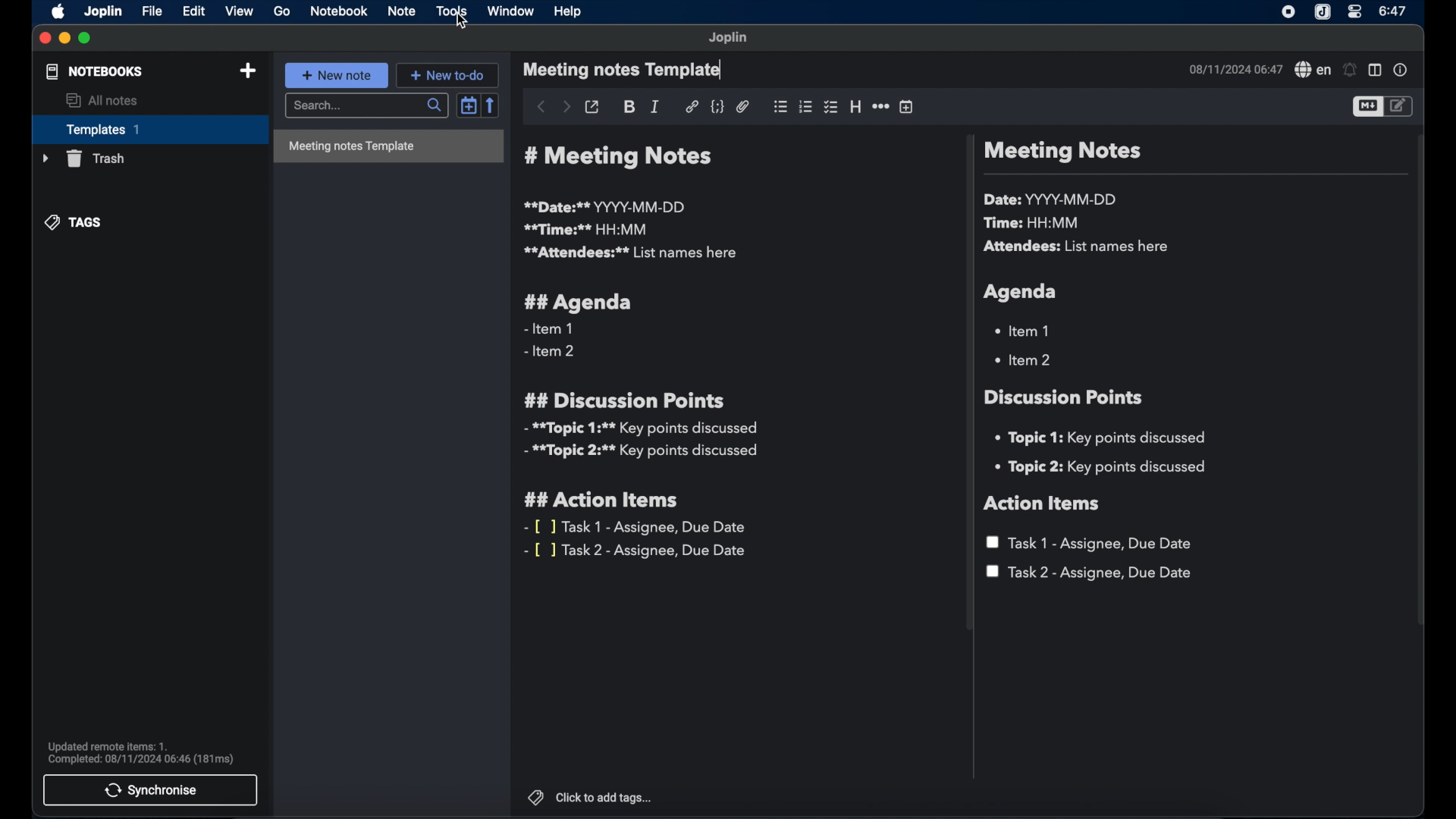  What do you see at coordinates (1102, 467) in the screenshot?
I see `topic 2: key points discussed` at bounding box center [1102, 467].